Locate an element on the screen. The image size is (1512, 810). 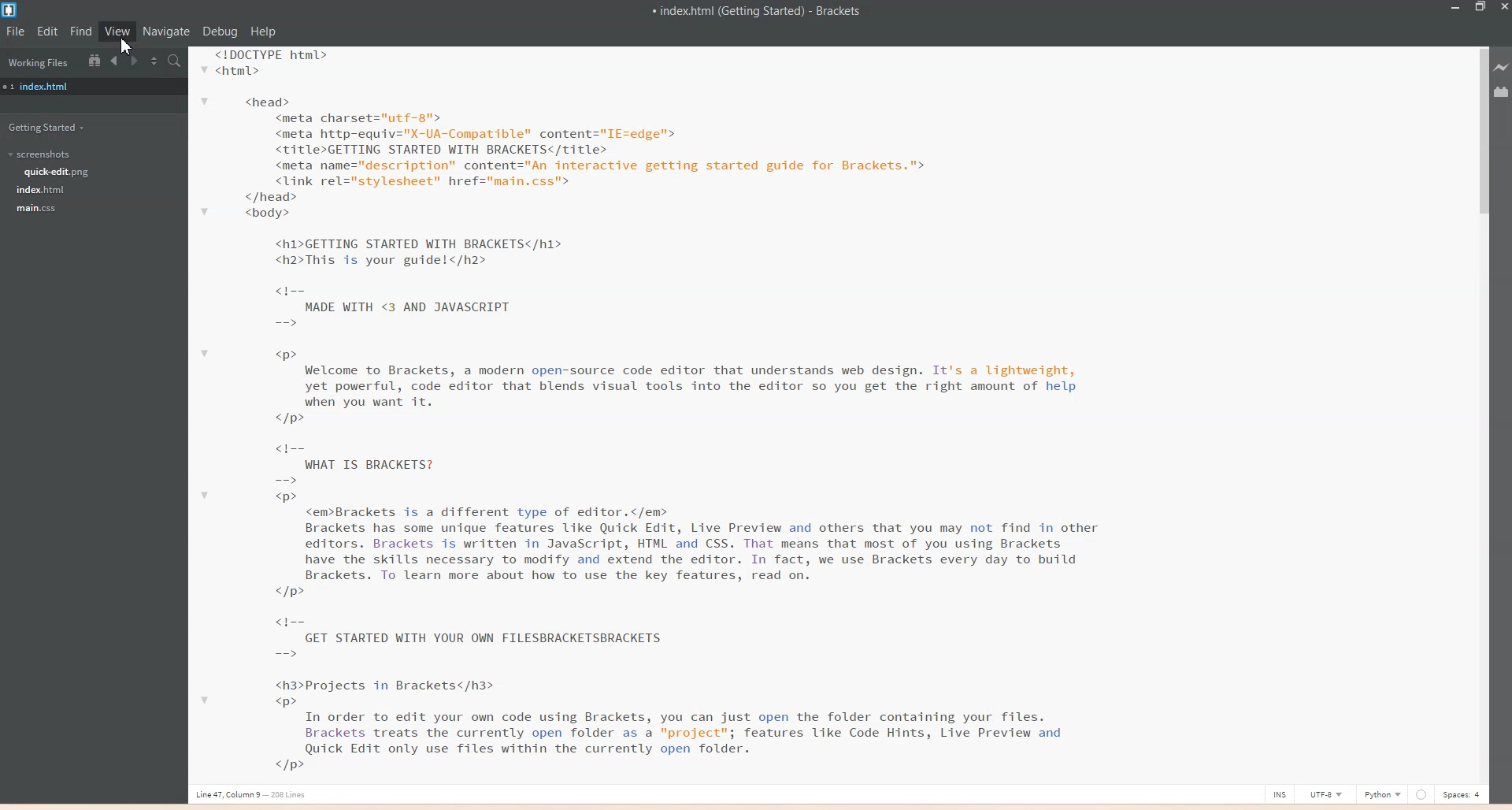
Debug is located at coordinates (220, 31).